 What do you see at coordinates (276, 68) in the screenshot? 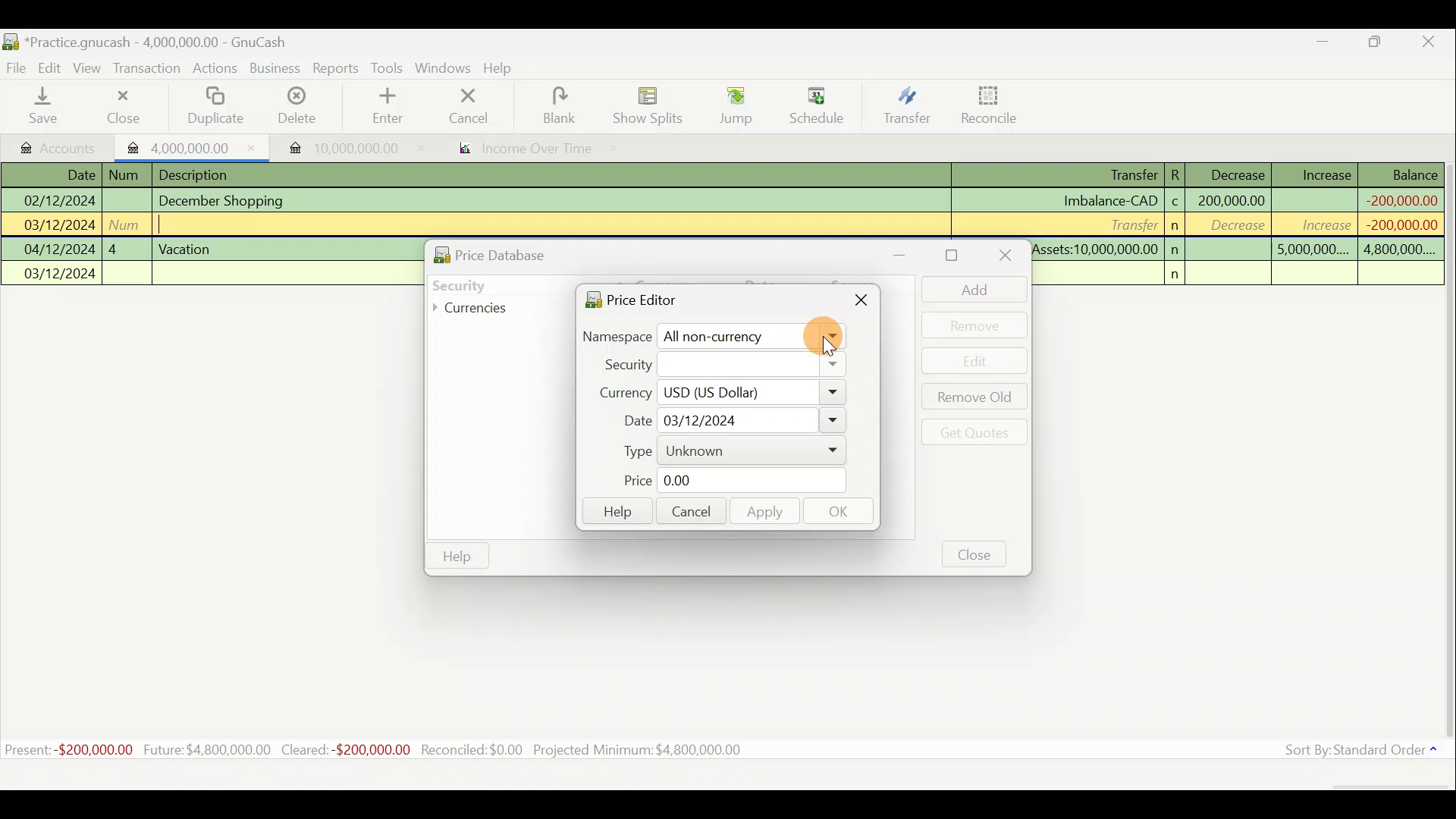
I see `Business` at bounding box center [276, 68].